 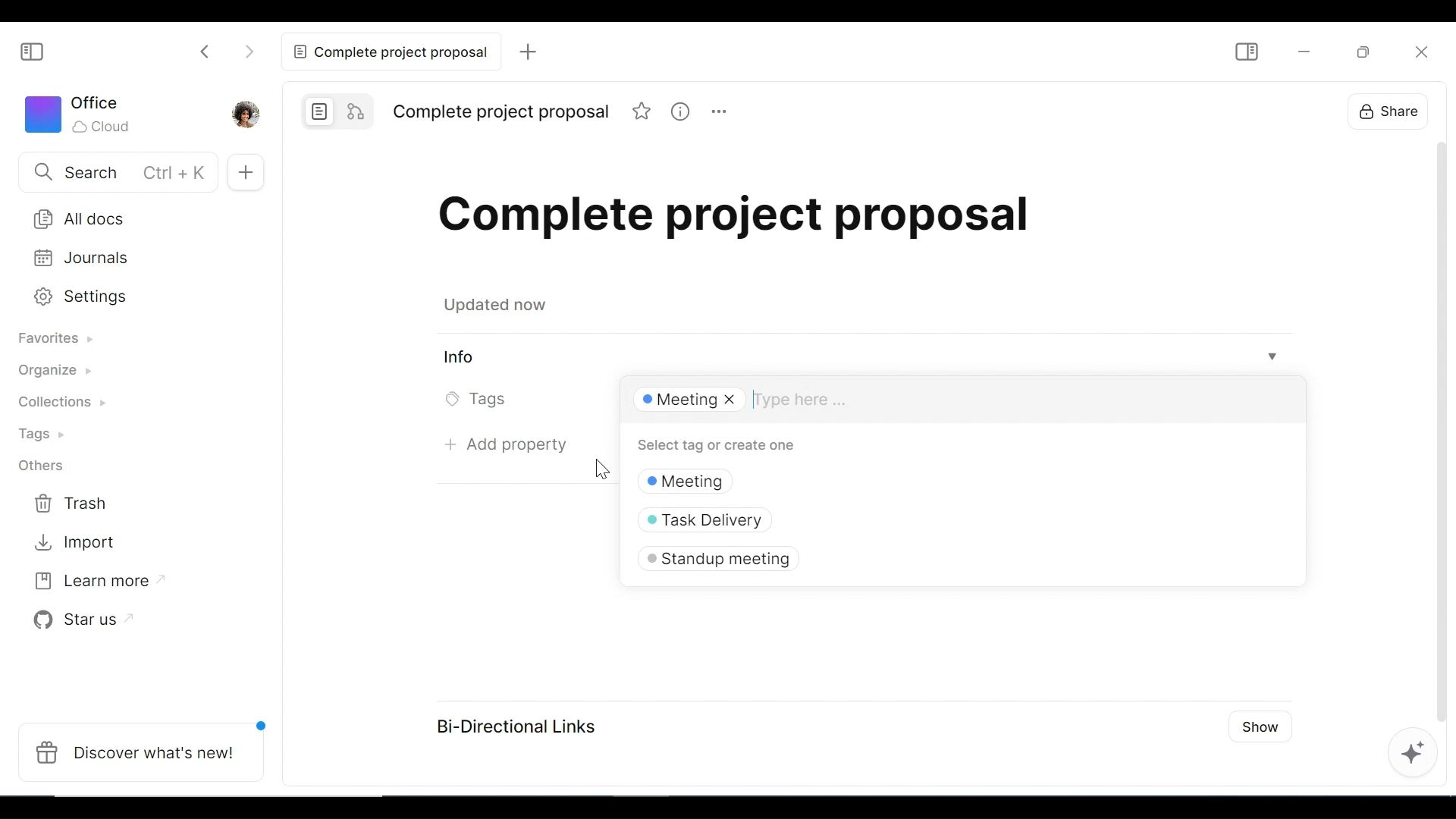 What do you see at coordinates (1304, 50) in the screenshot?
I see `minimize` at bounding box center [1304, 50].